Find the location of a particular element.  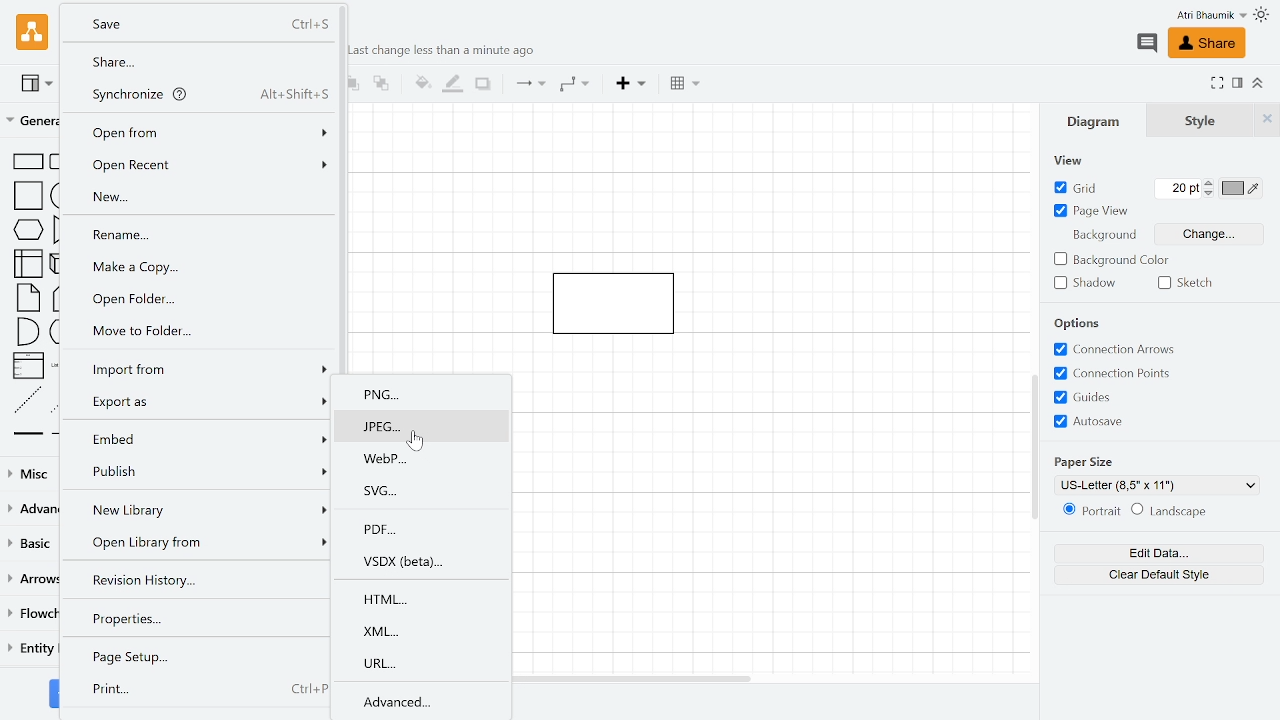

Shadow is located at coordinates (483, 84).